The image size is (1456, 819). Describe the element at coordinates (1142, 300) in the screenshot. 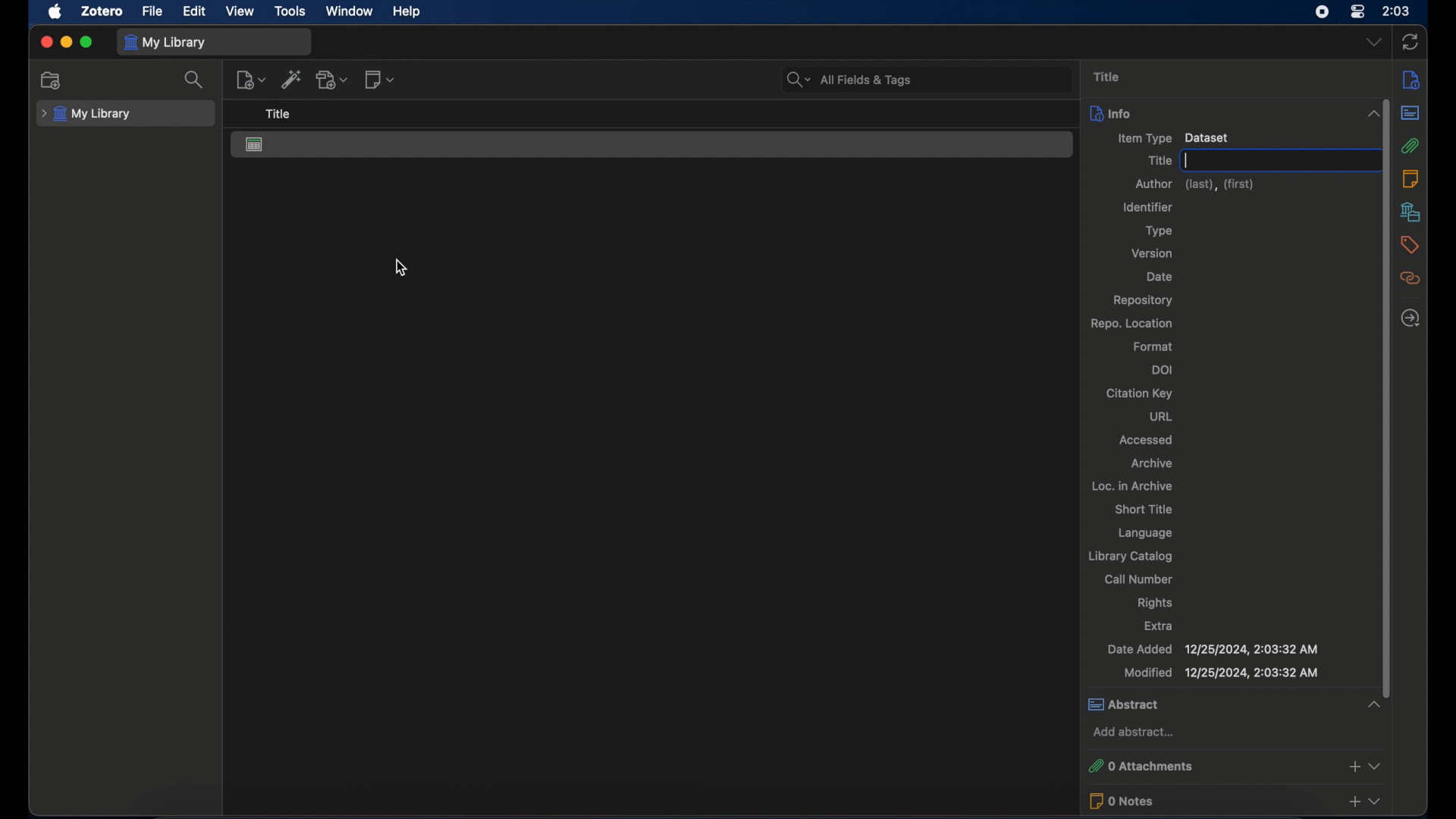

I see `repository` at that location.